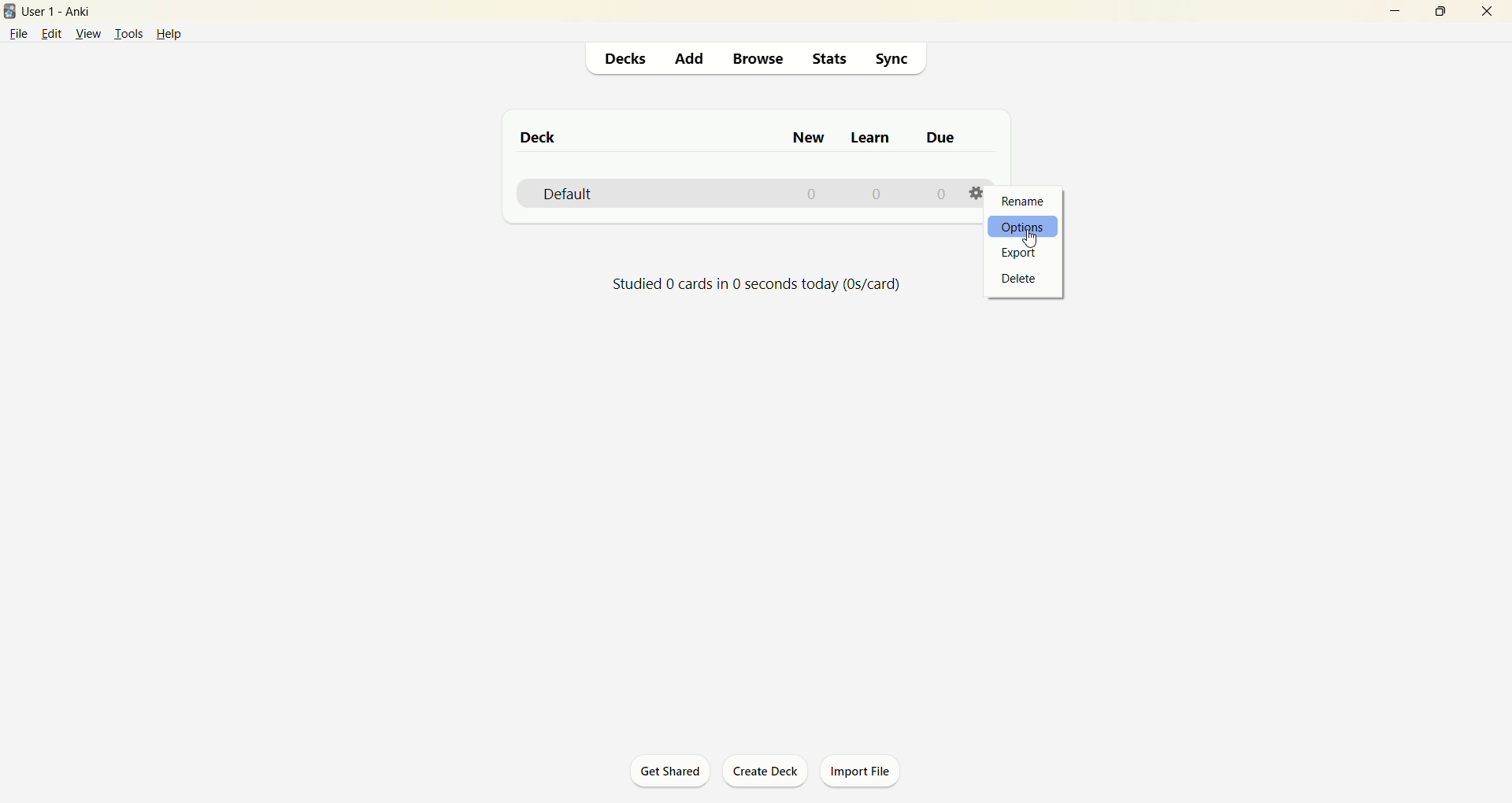 The width and height of the screenshot is (1512, 803). What do you see at coordinates (870, 140) in the screenshot?
I see `learn` at bounding box center [870, 140].